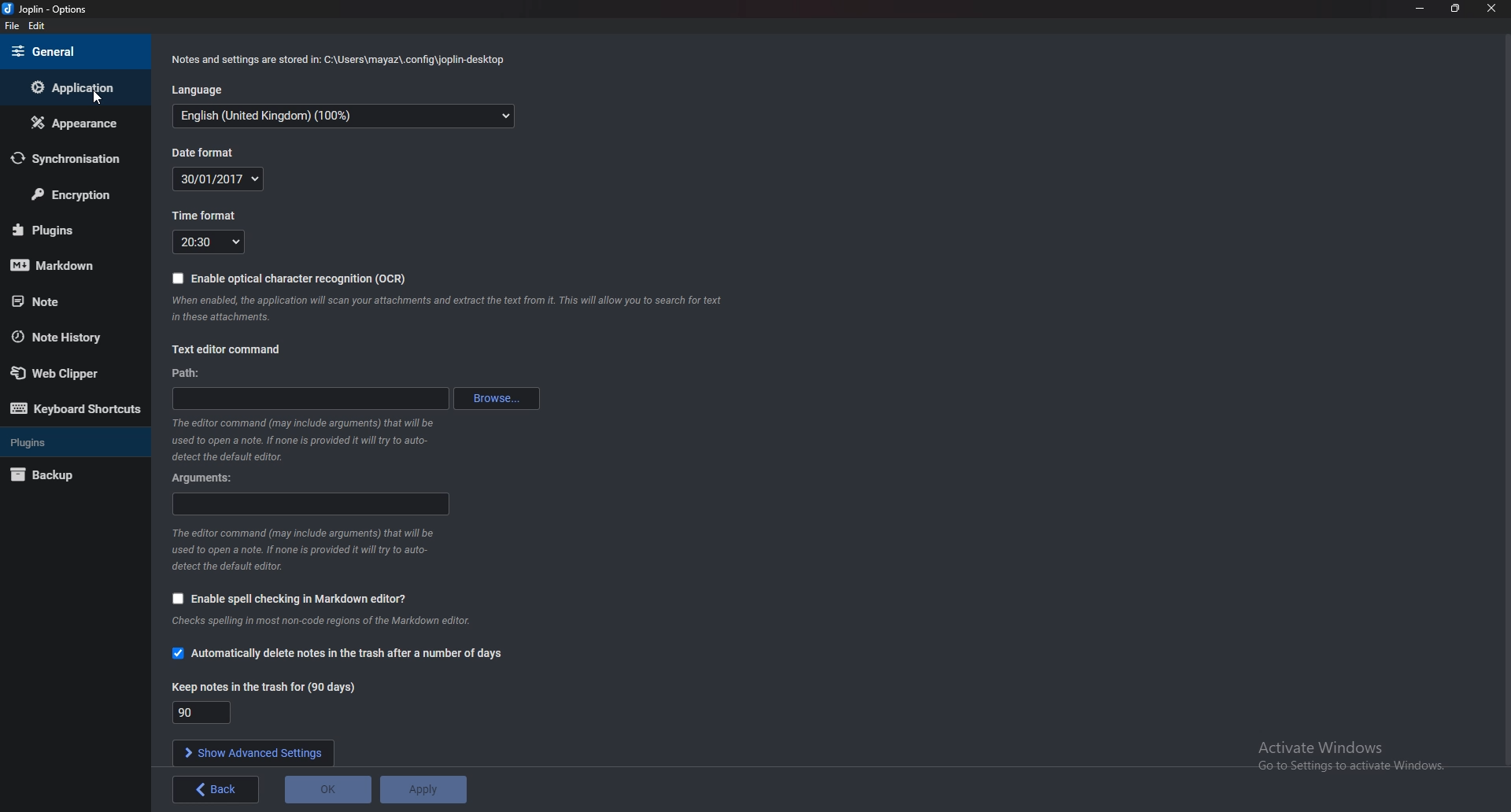 The width and height of the screenshot is (1511, 812). Describe the element at coordinates (301, 279) in the screenshot. I see `Enable O C R` at that location.